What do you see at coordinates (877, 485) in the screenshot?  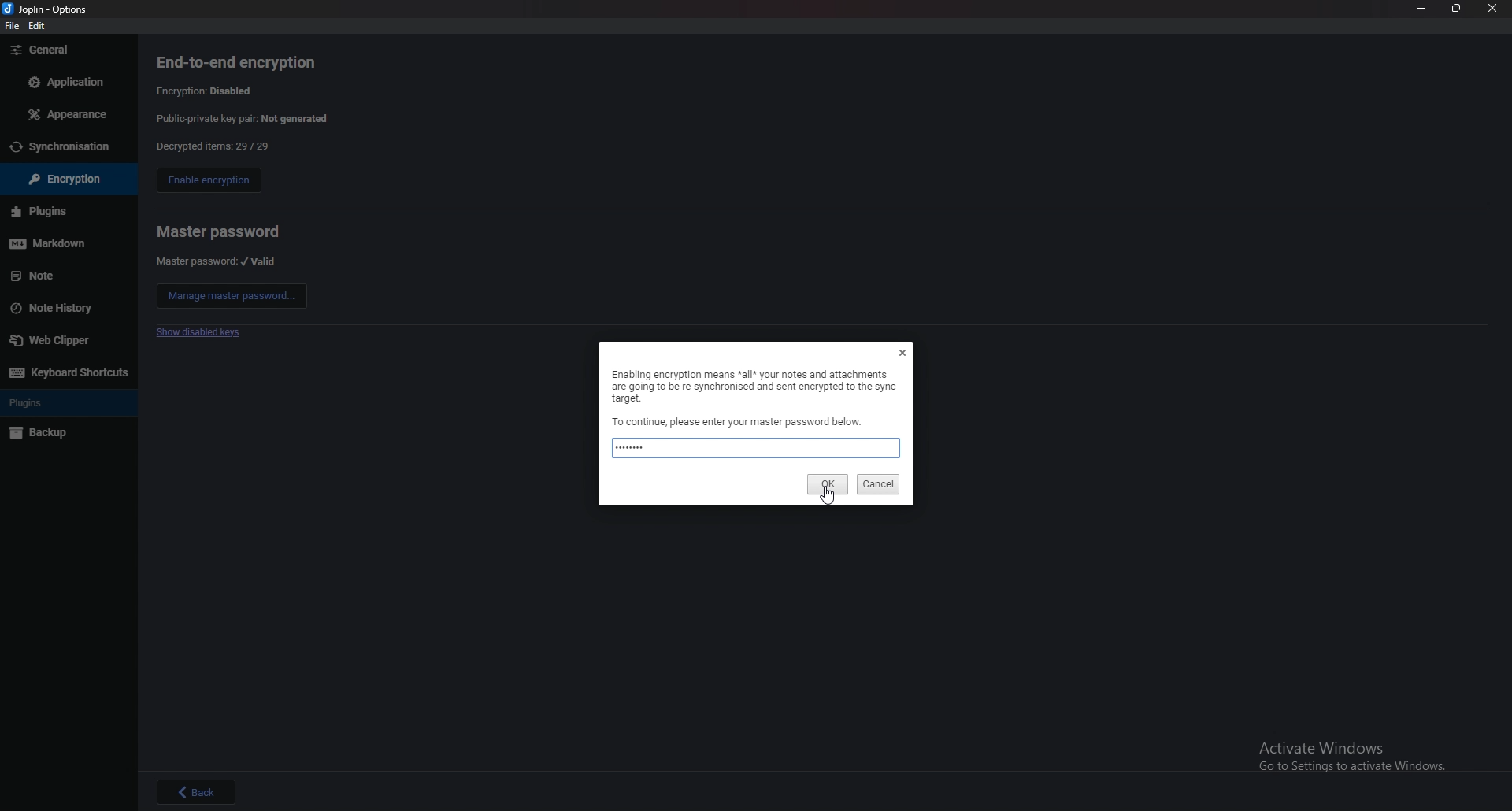 I see `cancel` at bounding box center [877, 485].